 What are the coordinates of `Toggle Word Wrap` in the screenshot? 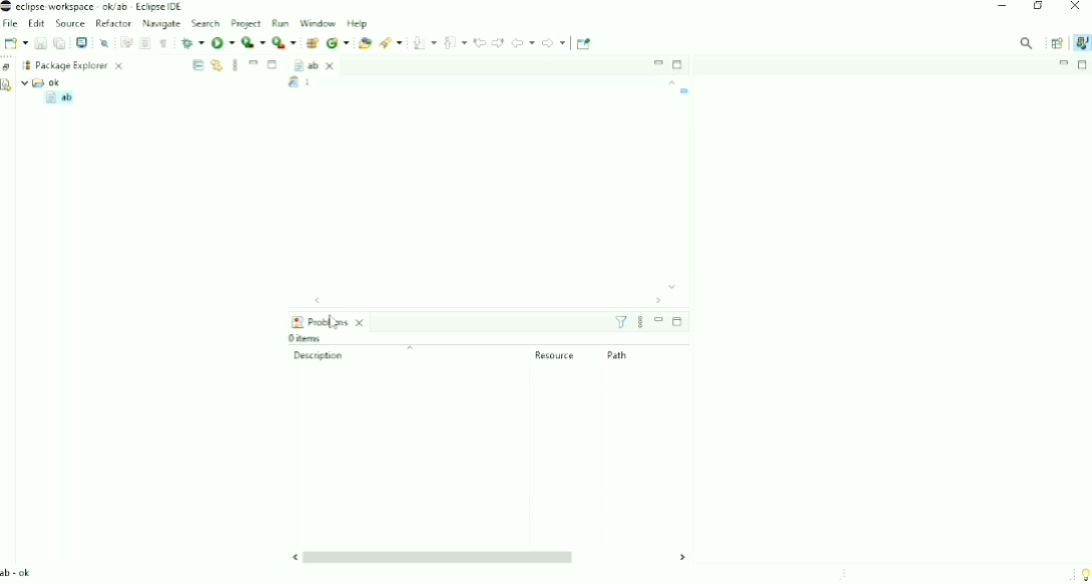 It's located at (125, 42).